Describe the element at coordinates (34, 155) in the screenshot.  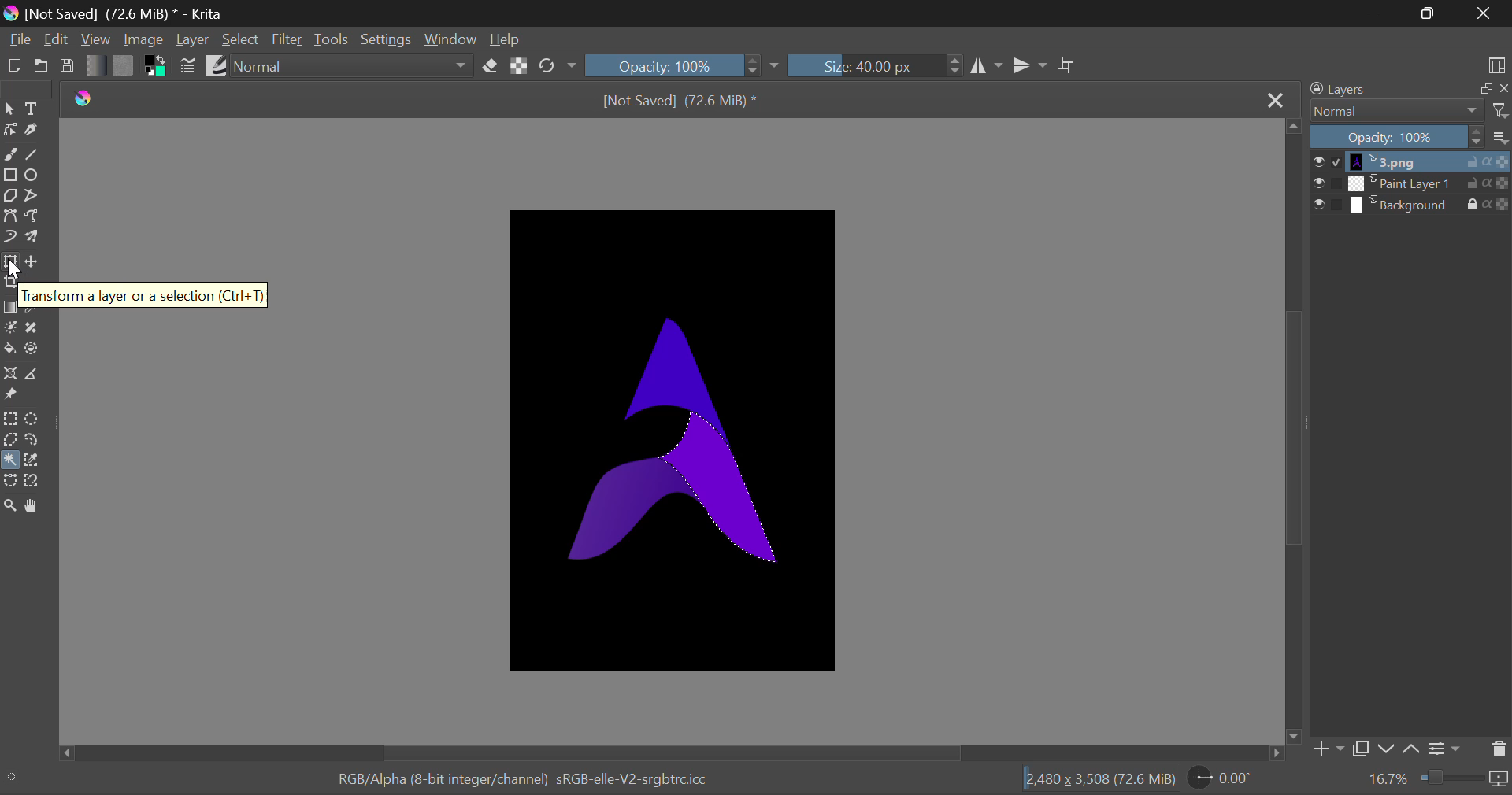
I see `Line` at that location.